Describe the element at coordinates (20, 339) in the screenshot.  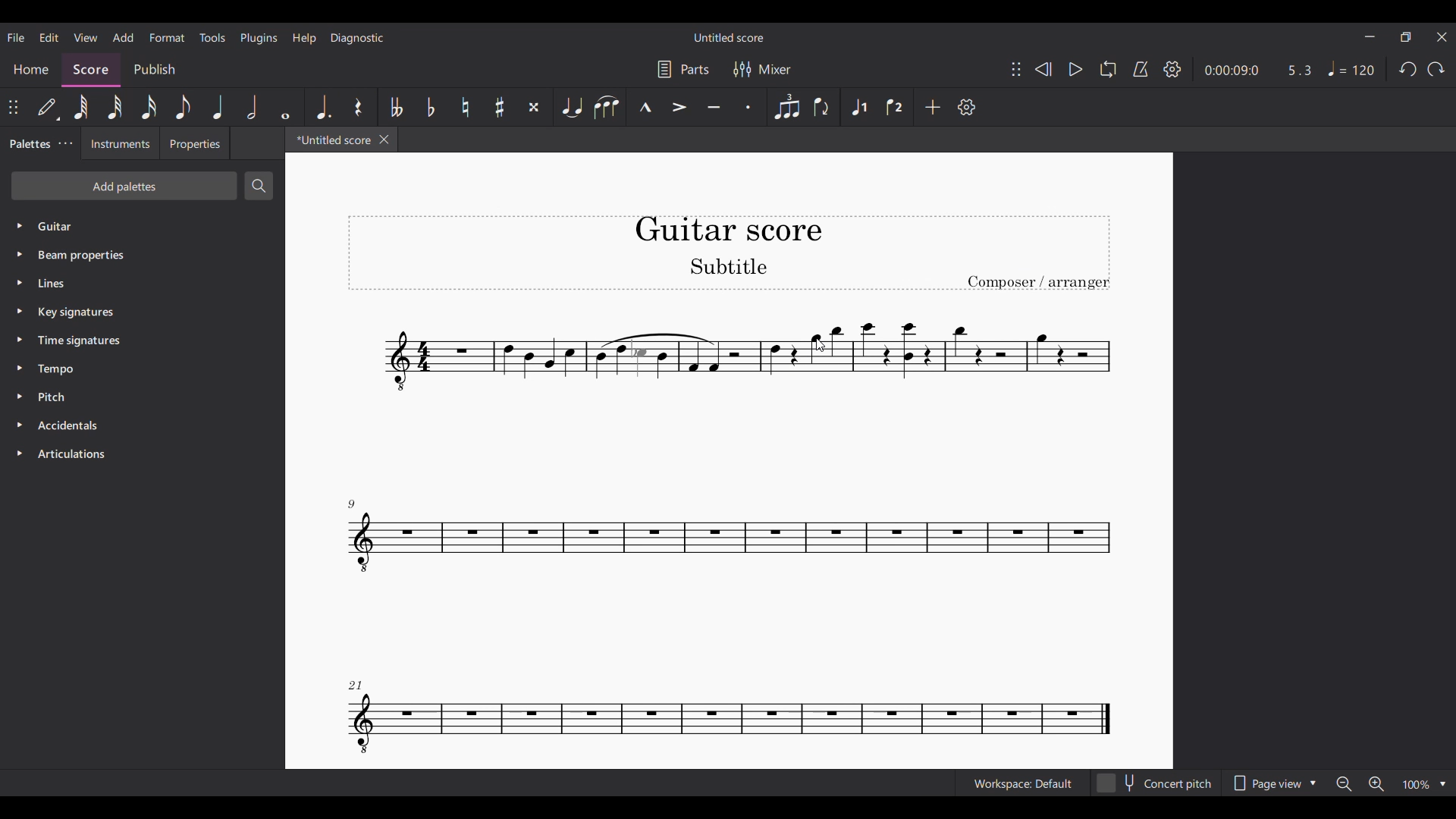
I see `Click to expand time signatures palette` at that location.